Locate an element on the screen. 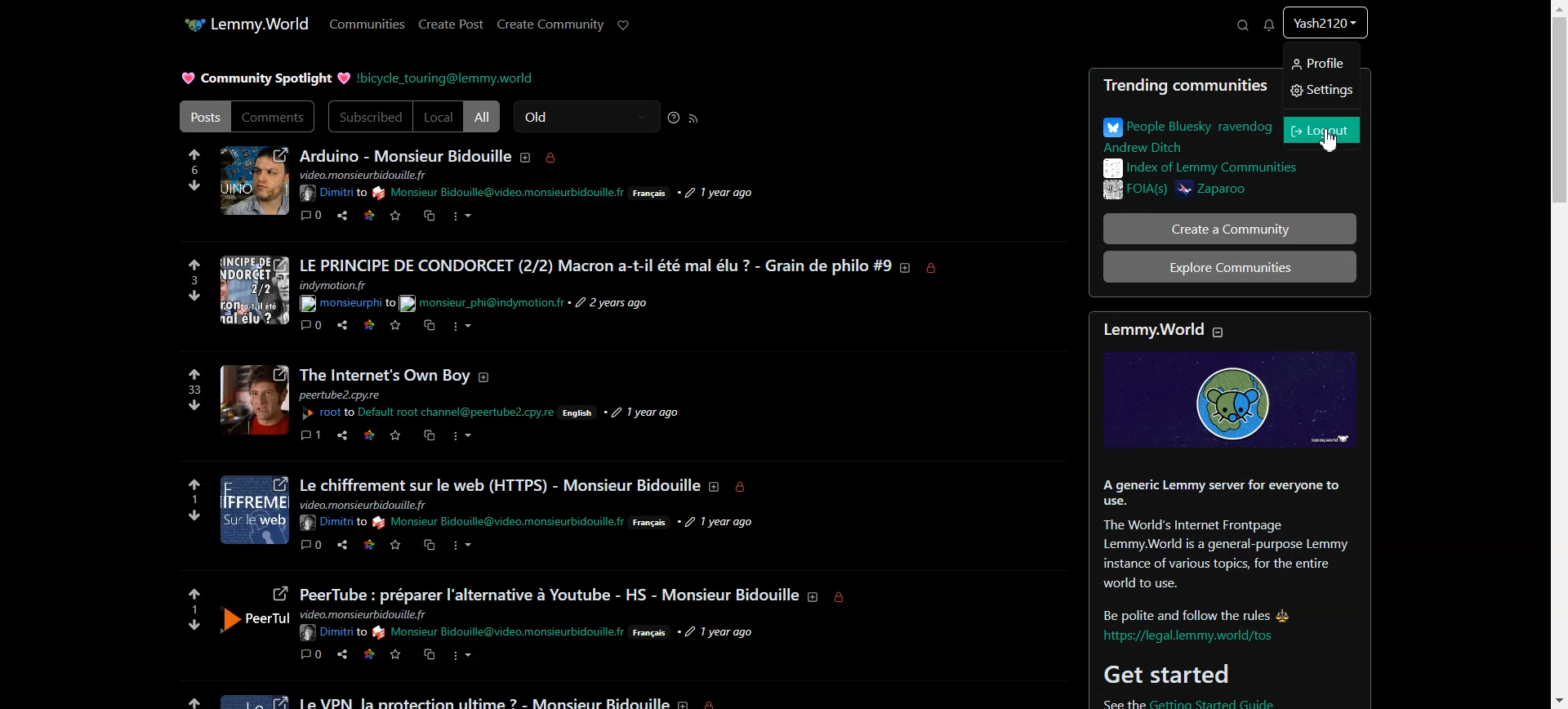 The image size is (1568, 709). text is located at coordinates (483, 699).